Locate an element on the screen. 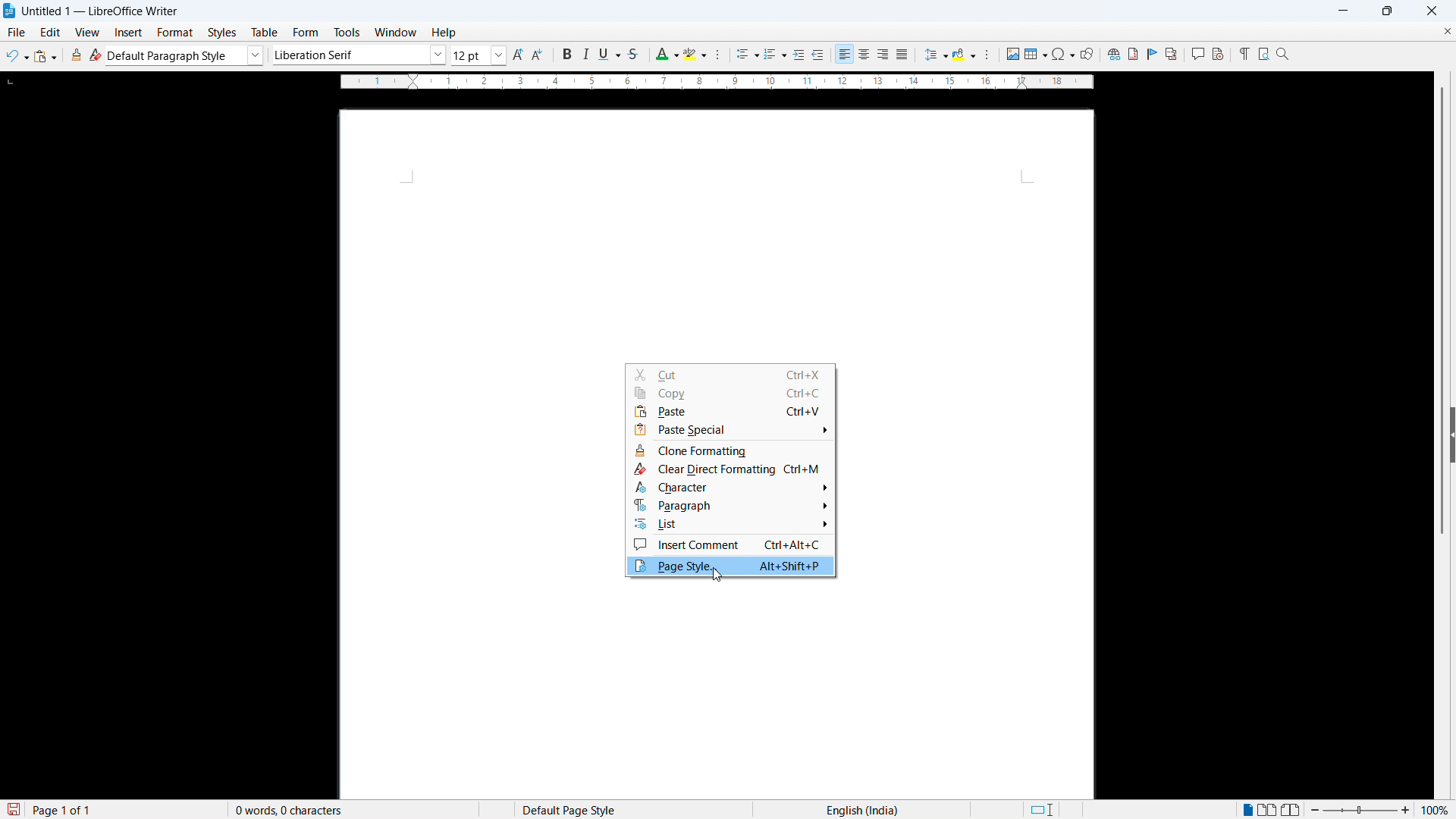 This screenshot has height=819, width=1456. Set font  is located at coordinates (359, 55).